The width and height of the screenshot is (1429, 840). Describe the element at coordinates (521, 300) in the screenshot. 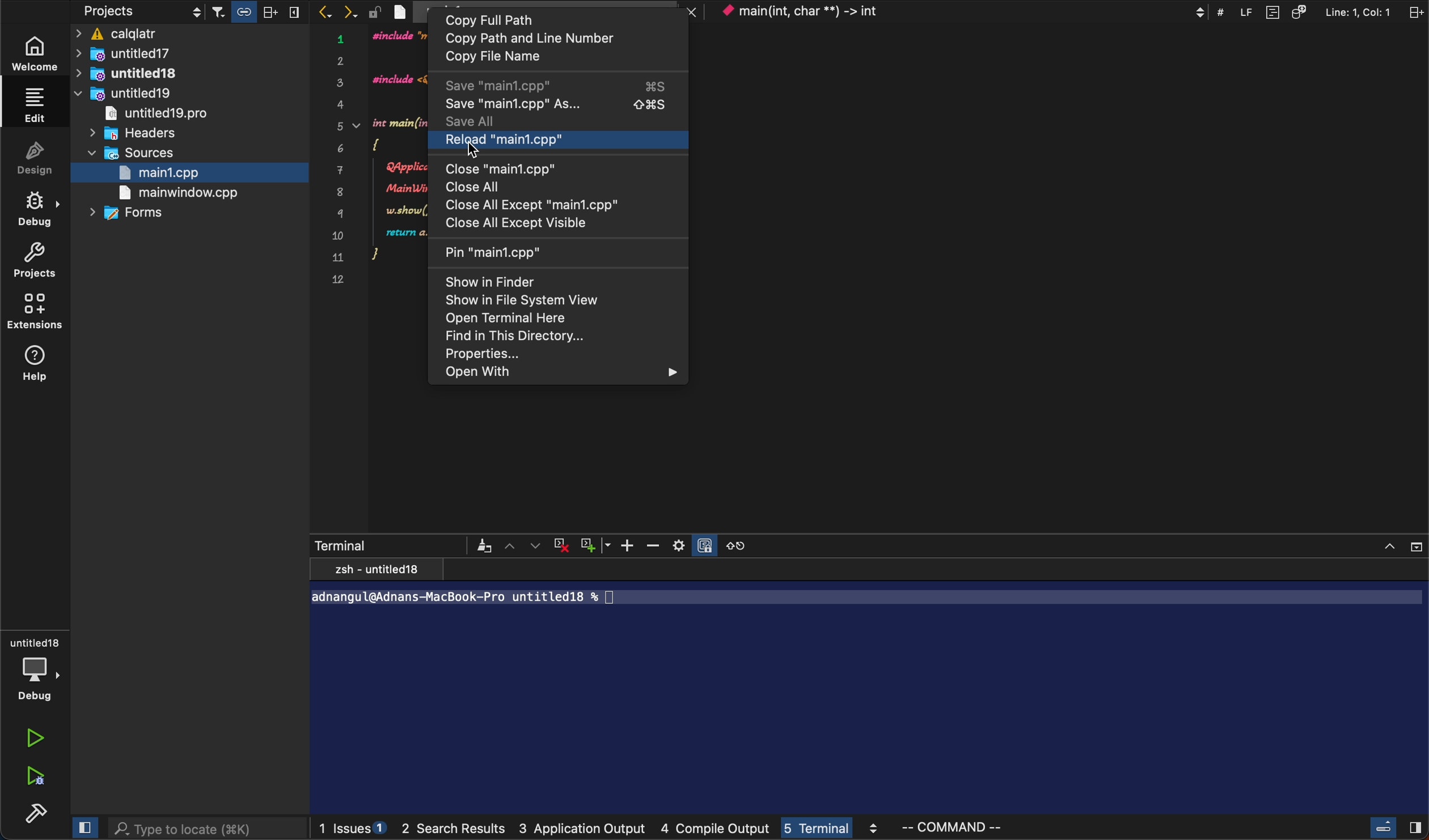

I see `file view` at that location.